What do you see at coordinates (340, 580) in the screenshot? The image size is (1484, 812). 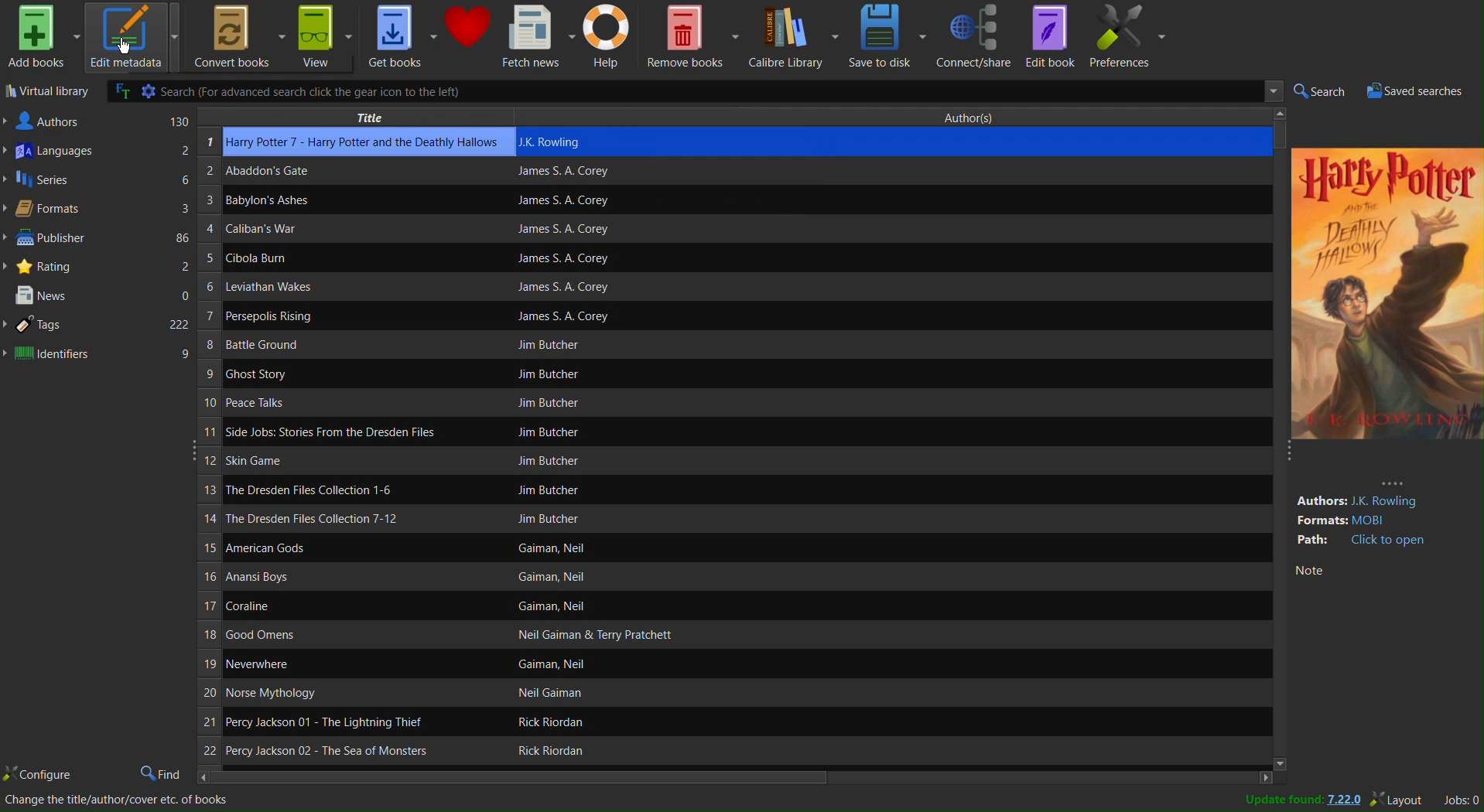 I see `Book name` at bounding box center [340, 580].